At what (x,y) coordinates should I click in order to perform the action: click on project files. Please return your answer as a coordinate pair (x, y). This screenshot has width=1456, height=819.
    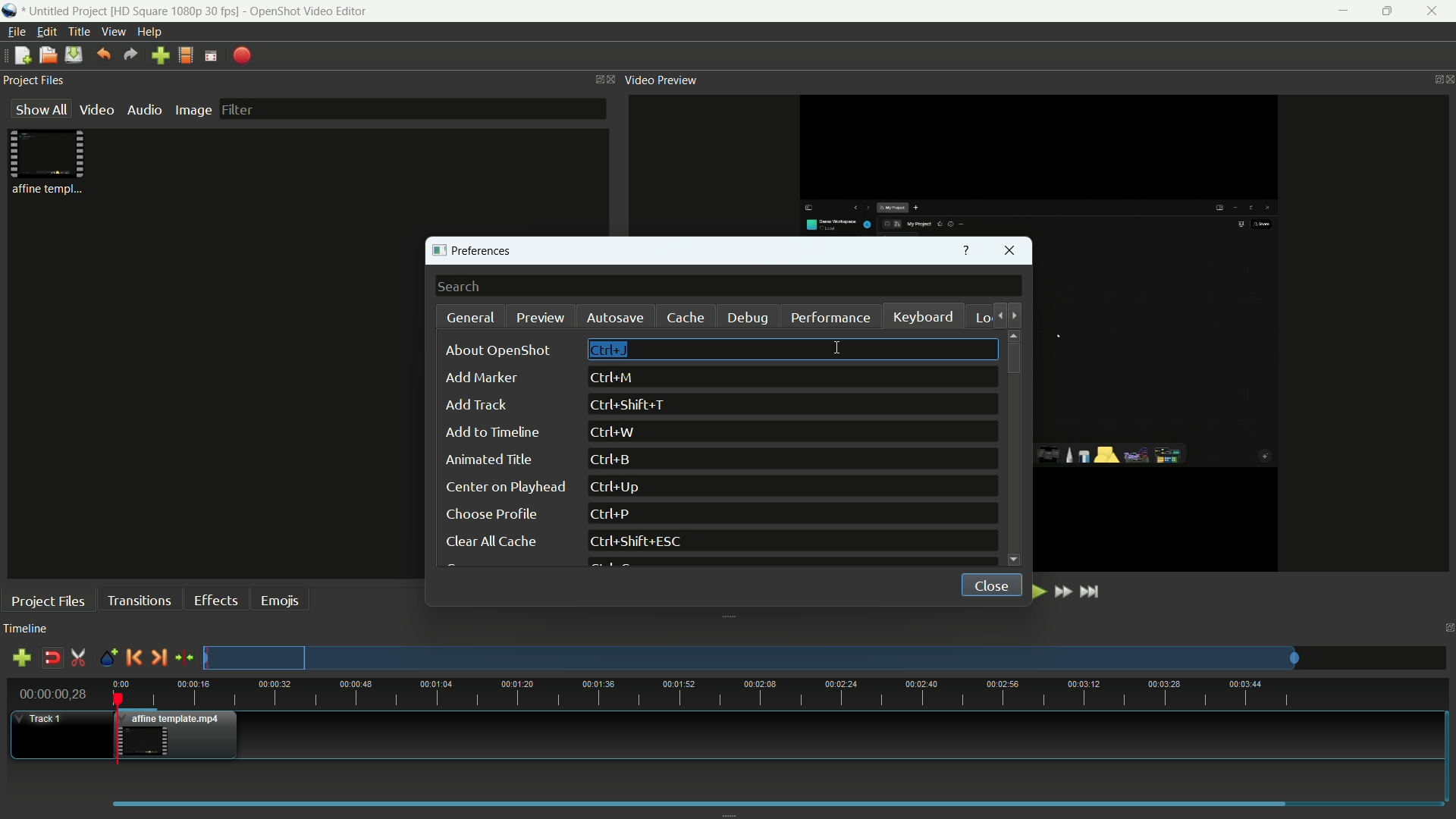
    Looking at the image, I should click on (36, 81).